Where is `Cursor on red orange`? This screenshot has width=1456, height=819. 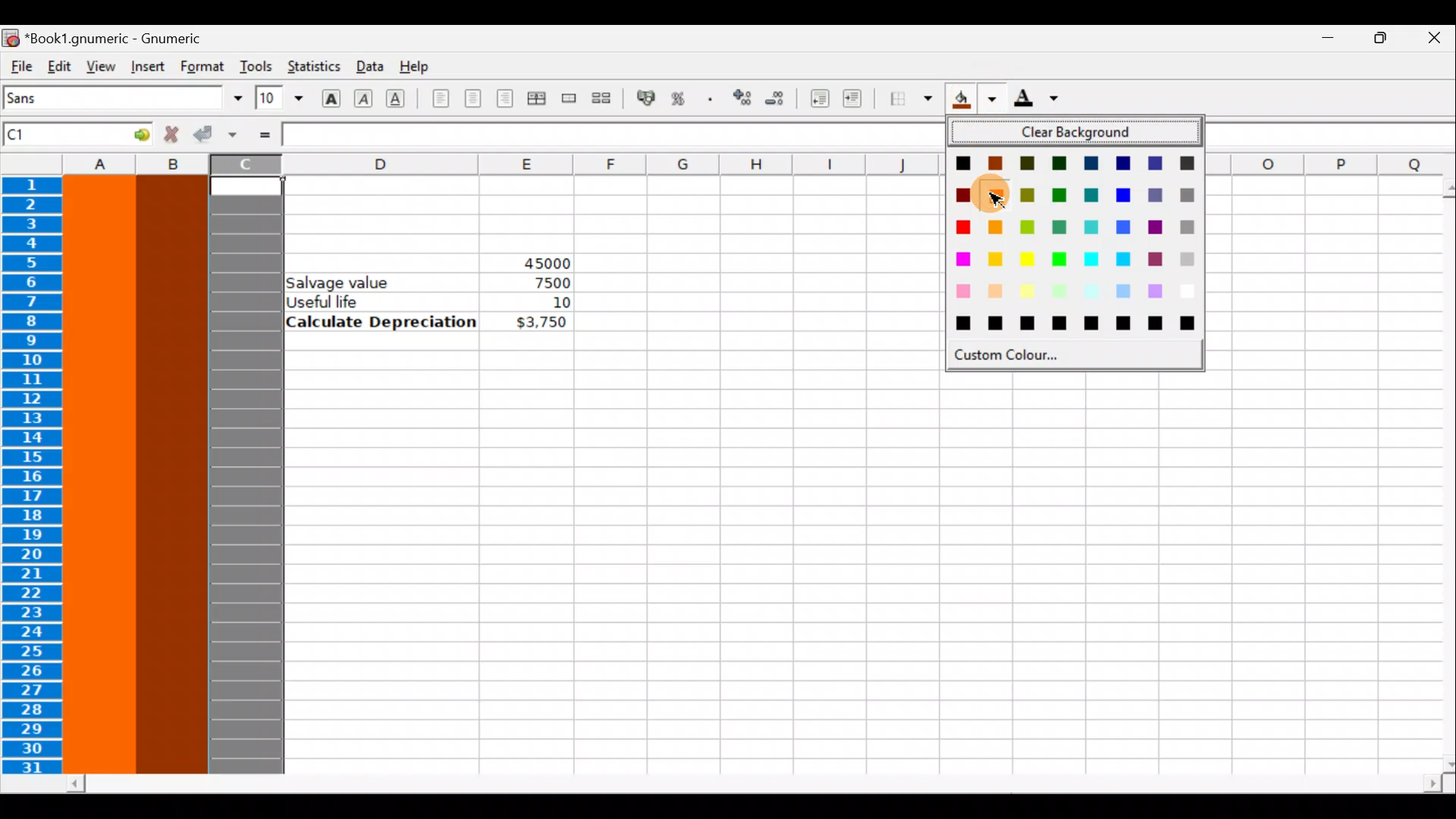
Cursor on red orange is located at coordinates (996, 194).